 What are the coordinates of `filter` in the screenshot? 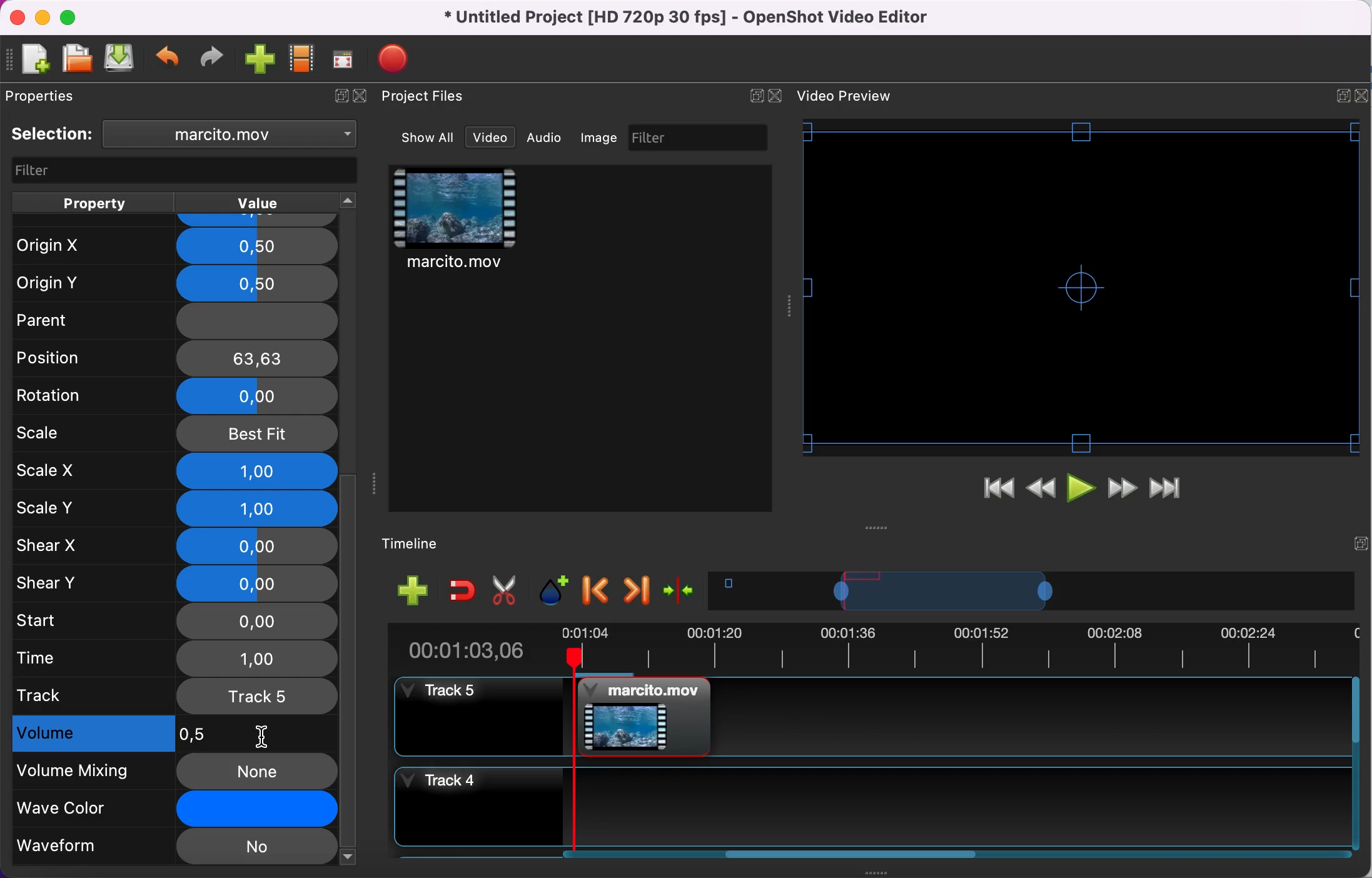 It's located at (700, 137).